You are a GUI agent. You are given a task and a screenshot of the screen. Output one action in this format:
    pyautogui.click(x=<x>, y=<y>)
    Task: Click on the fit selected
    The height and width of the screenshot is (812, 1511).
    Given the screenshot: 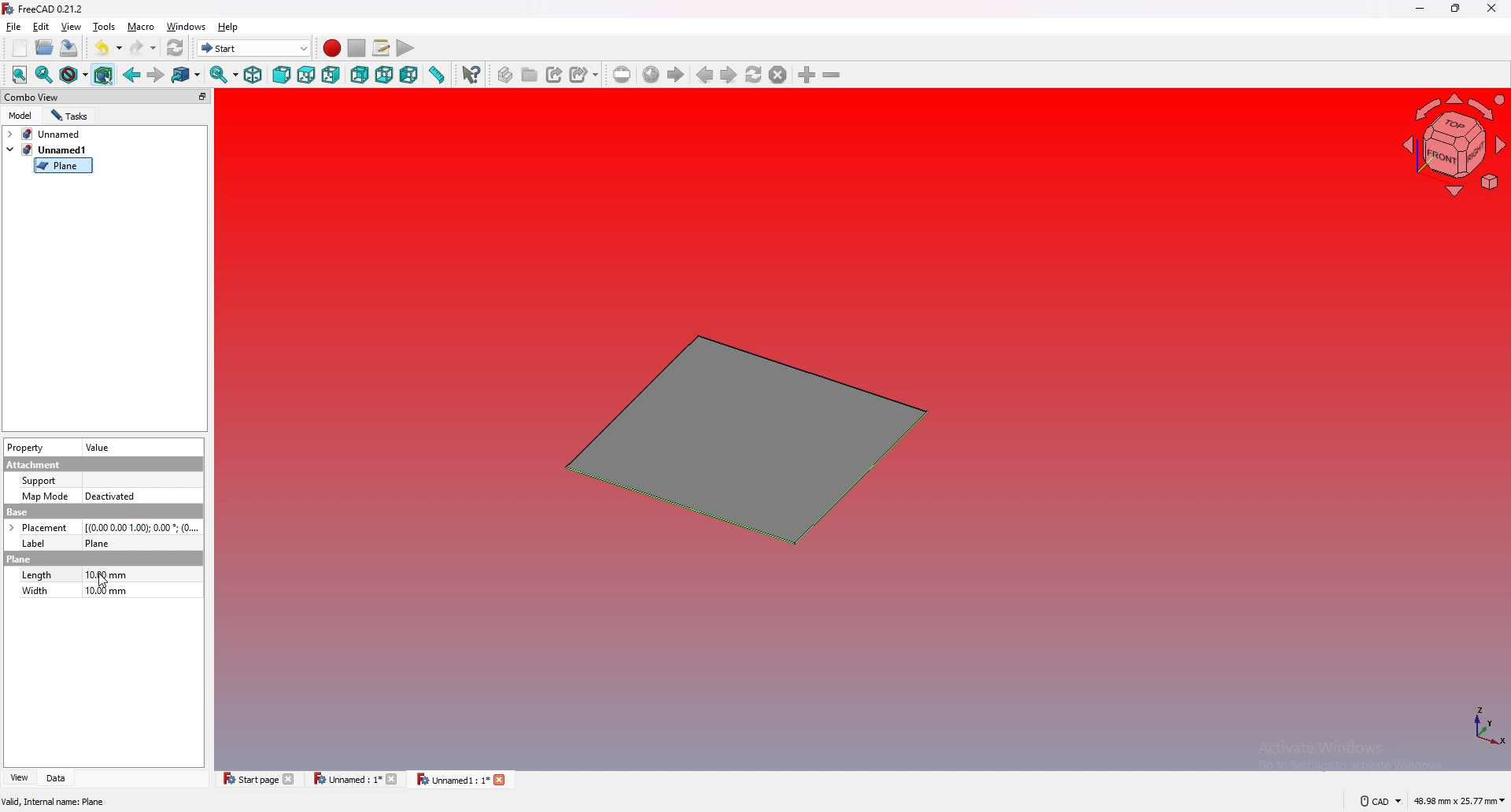 What is the action you would take?
    pyautogui.click(x=44, y=75)
    